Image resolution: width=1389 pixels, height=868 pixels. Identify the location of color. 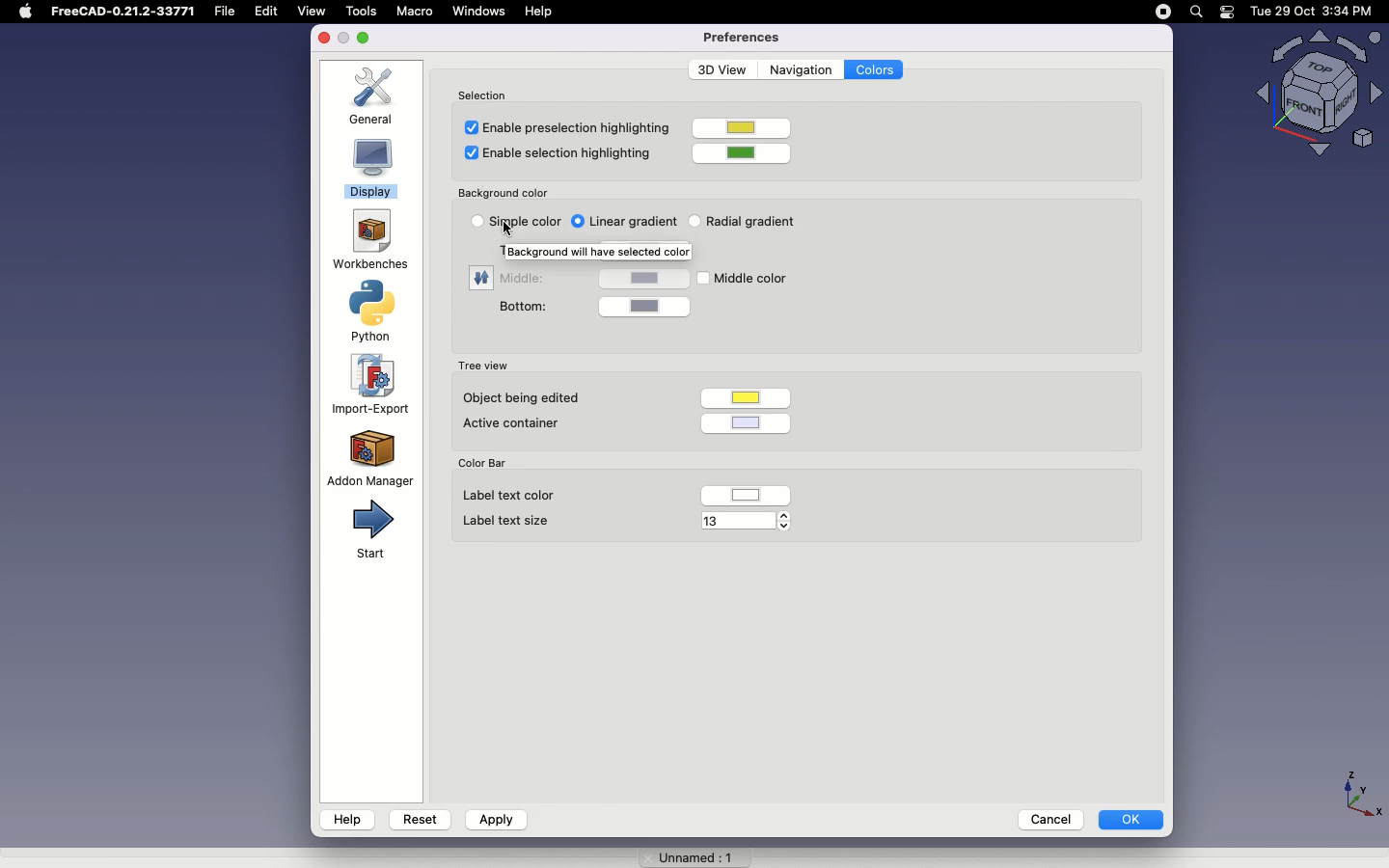
(744, 129).